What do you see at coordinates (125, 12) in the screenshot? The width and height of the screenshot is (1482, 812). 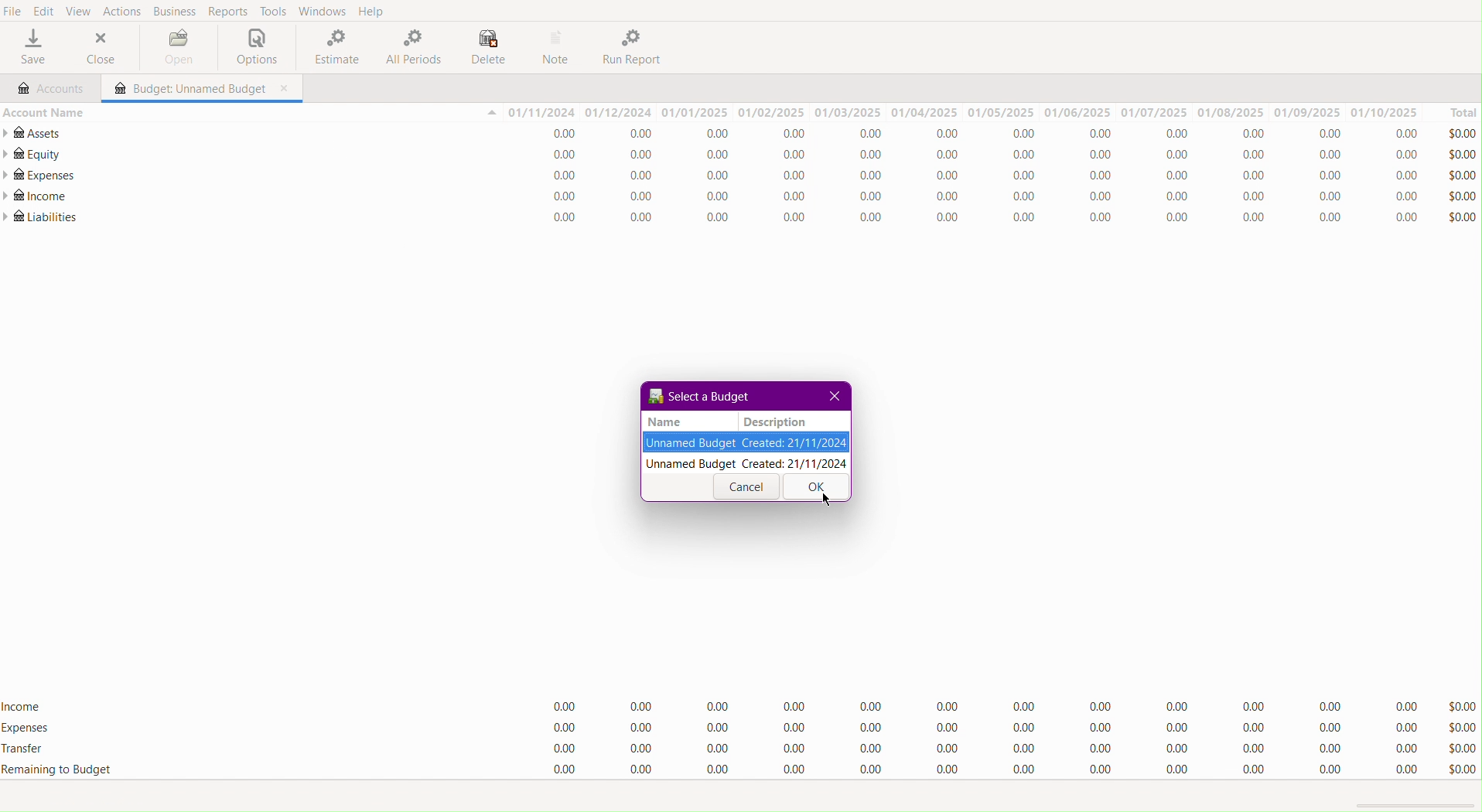 I see `Actions` at bounding box center [125, 12].